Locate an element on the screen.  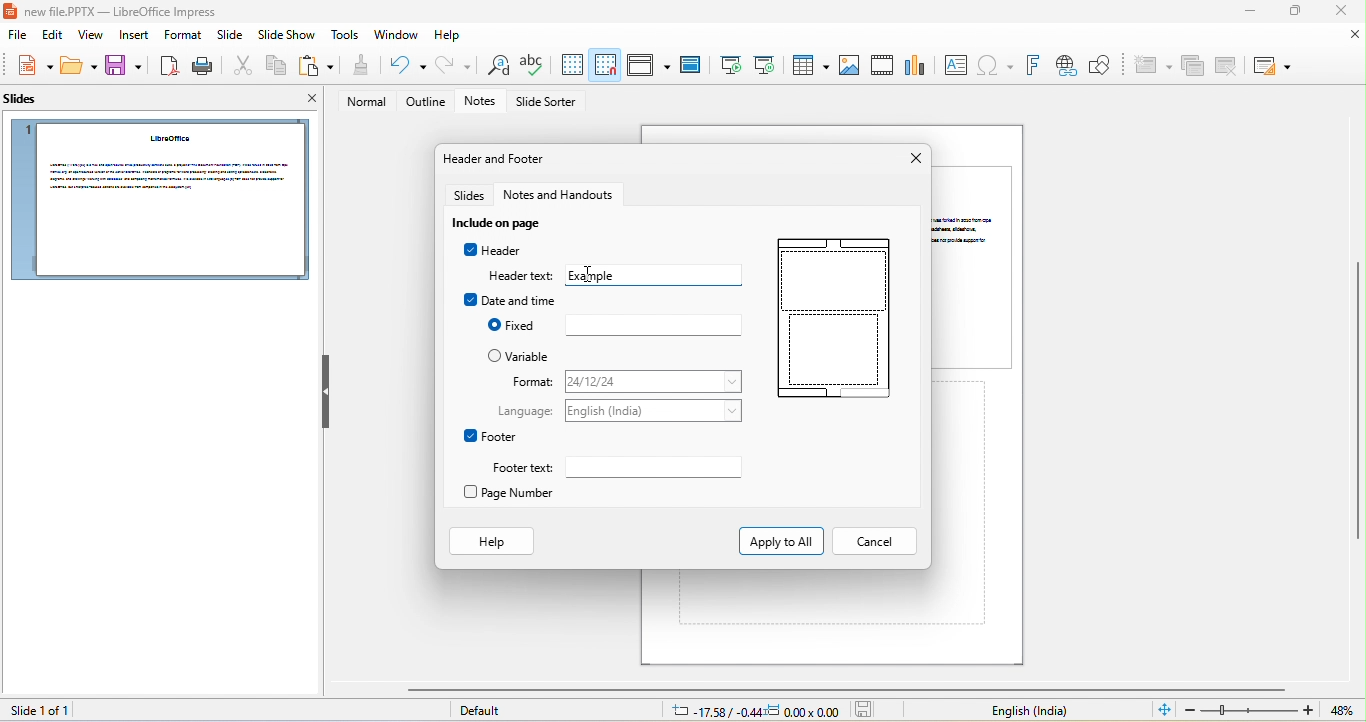
date and time is located at coordinates (510, 300).